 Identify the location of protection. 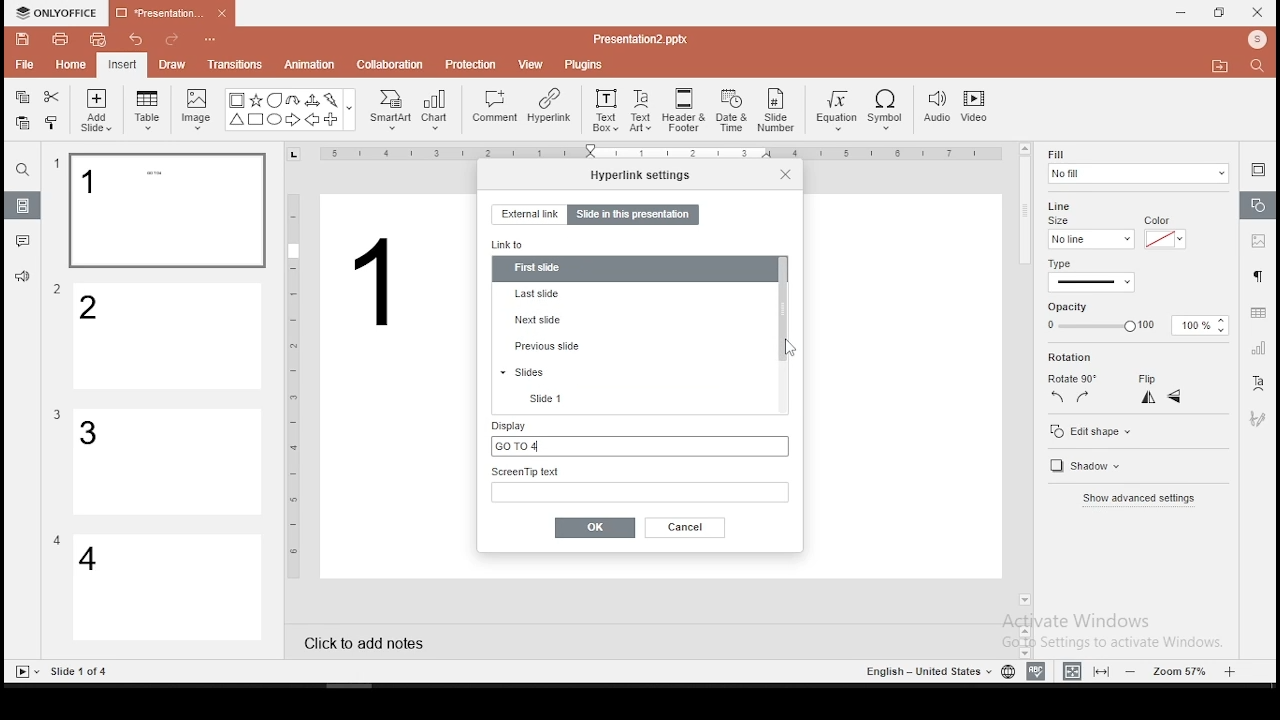
(471, 63).